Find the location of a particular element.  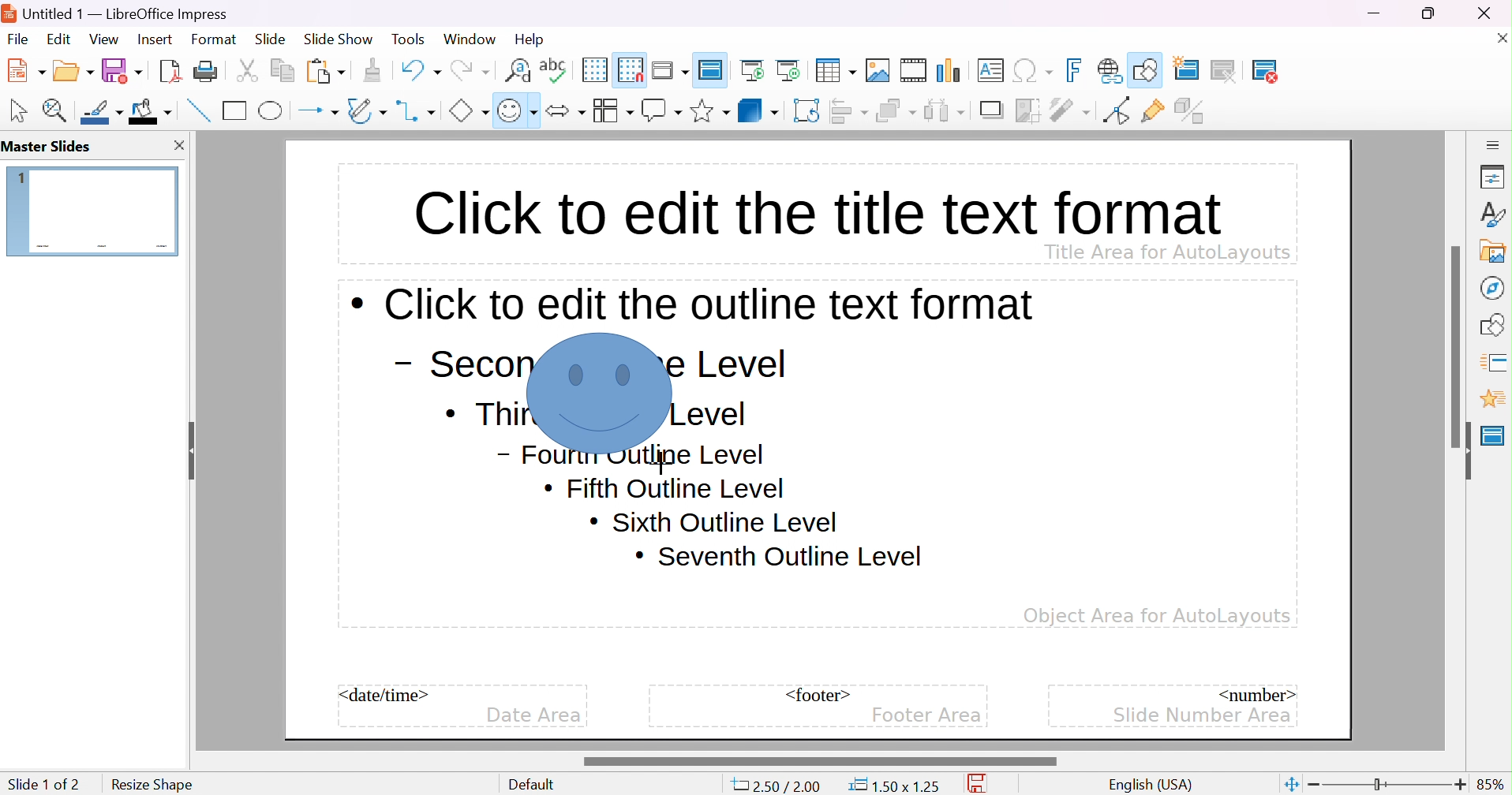

styles is located at coordinates (1494, 214).